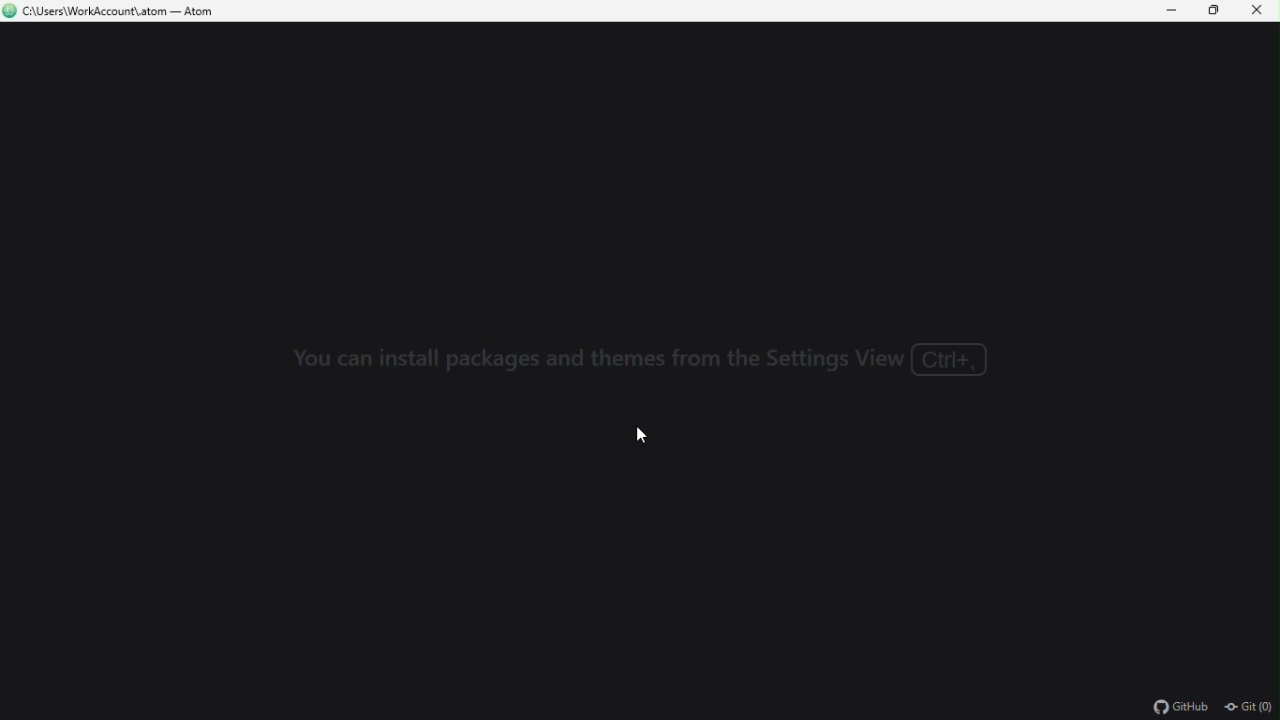  What do you see at coordinates (636, 359) in the screenshot?
I see `you can install packages and themes from the settings view` at bounding box center [636, 359].